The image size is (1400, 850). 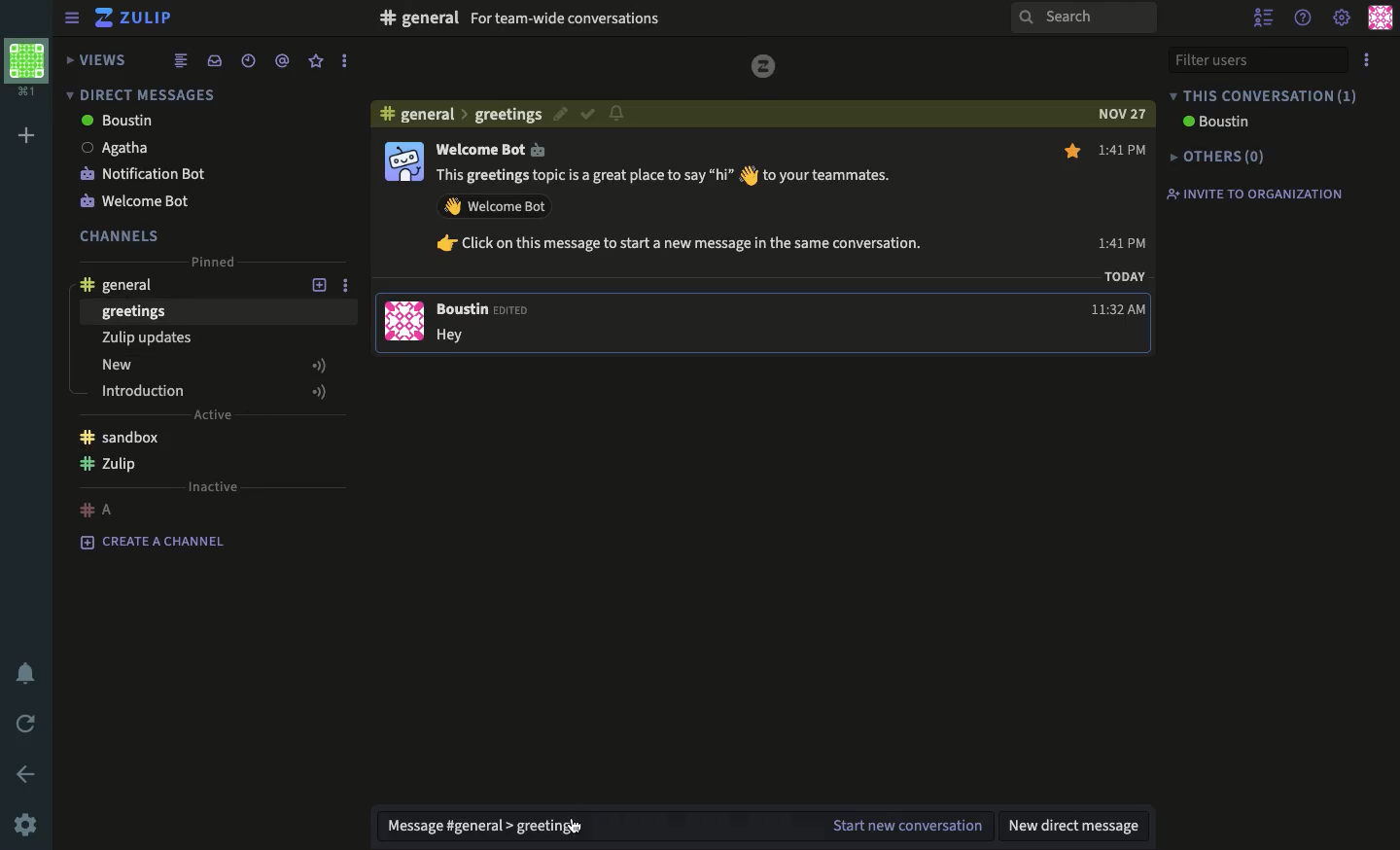 What do you see at coordinates (492, 825) in the screenshot?
I see `message general` at bounding box center [492, 825].